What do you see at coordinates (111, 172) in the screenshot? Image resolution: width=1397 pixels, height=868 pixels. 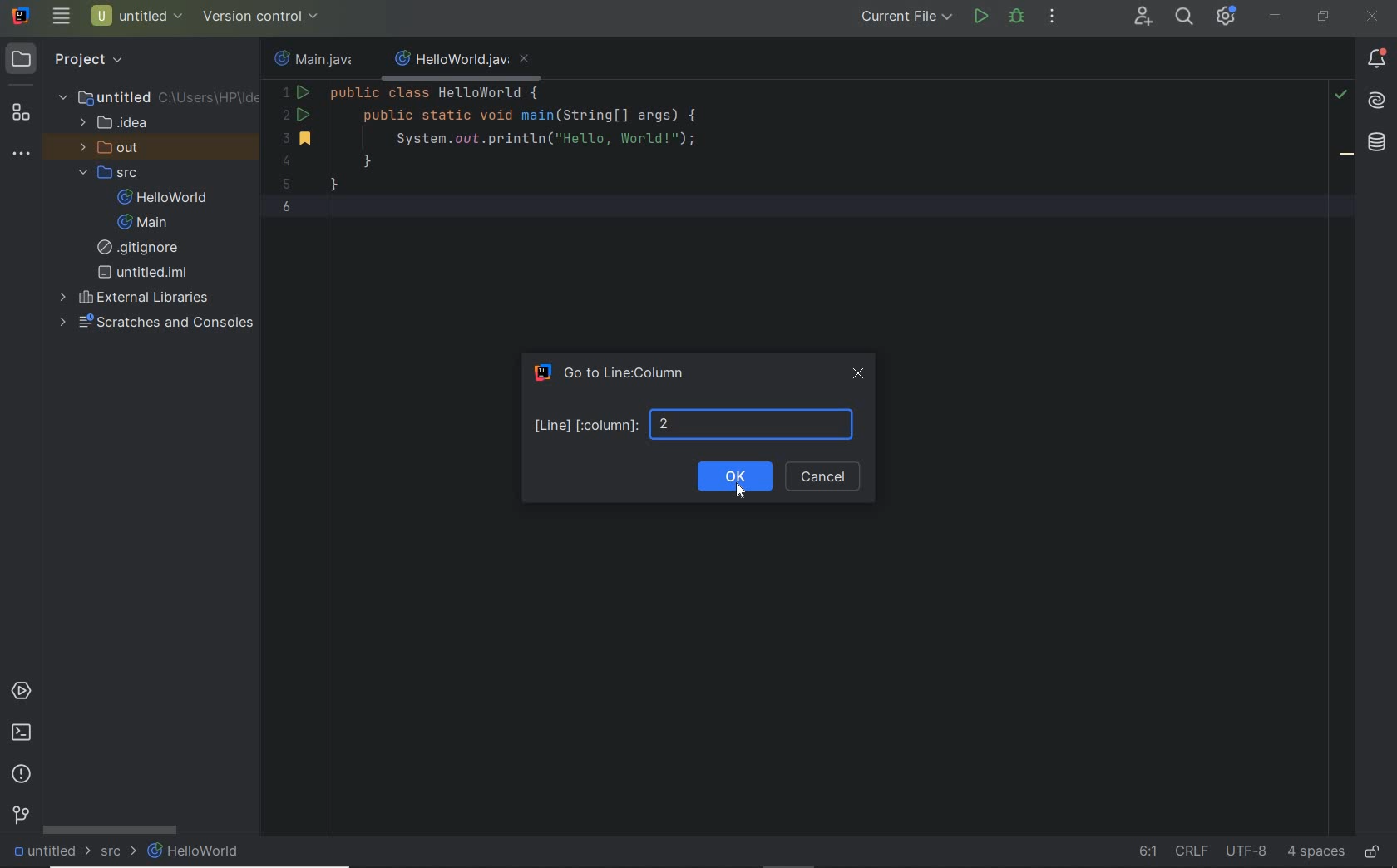 I see `src` at bounding box center [111, 172].